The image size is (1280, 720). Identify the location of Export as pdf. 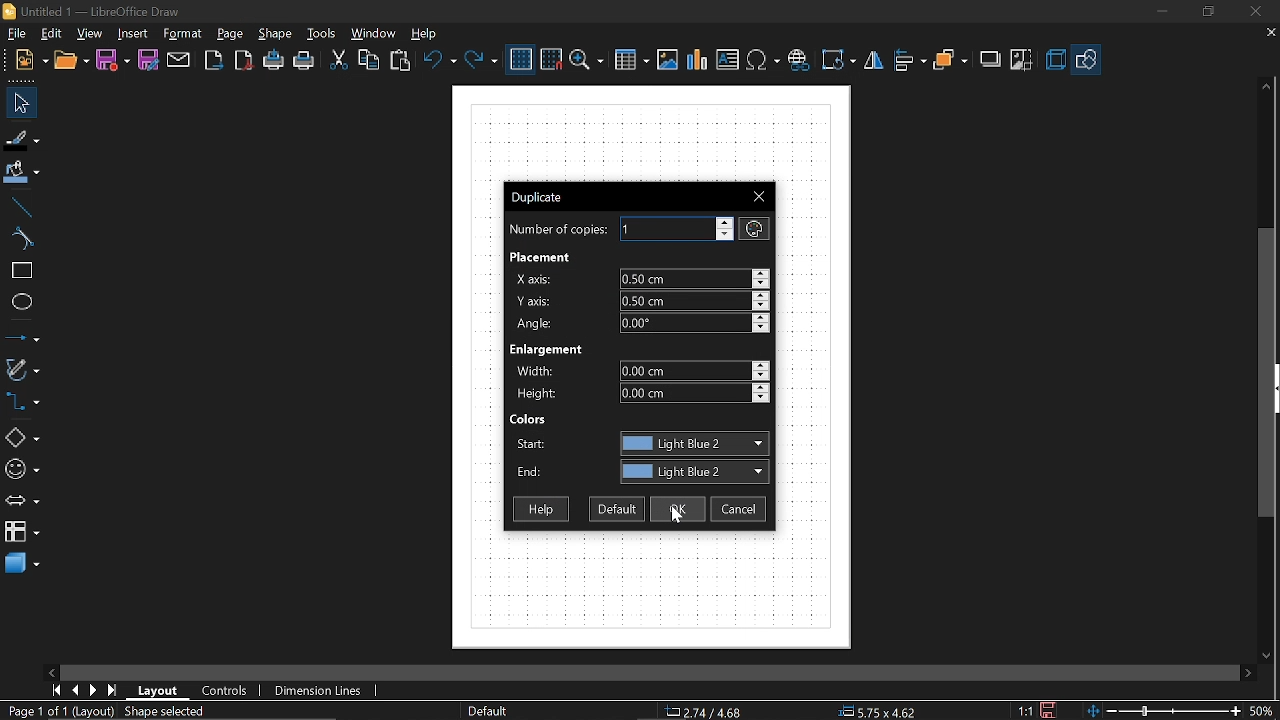
(244, 62).